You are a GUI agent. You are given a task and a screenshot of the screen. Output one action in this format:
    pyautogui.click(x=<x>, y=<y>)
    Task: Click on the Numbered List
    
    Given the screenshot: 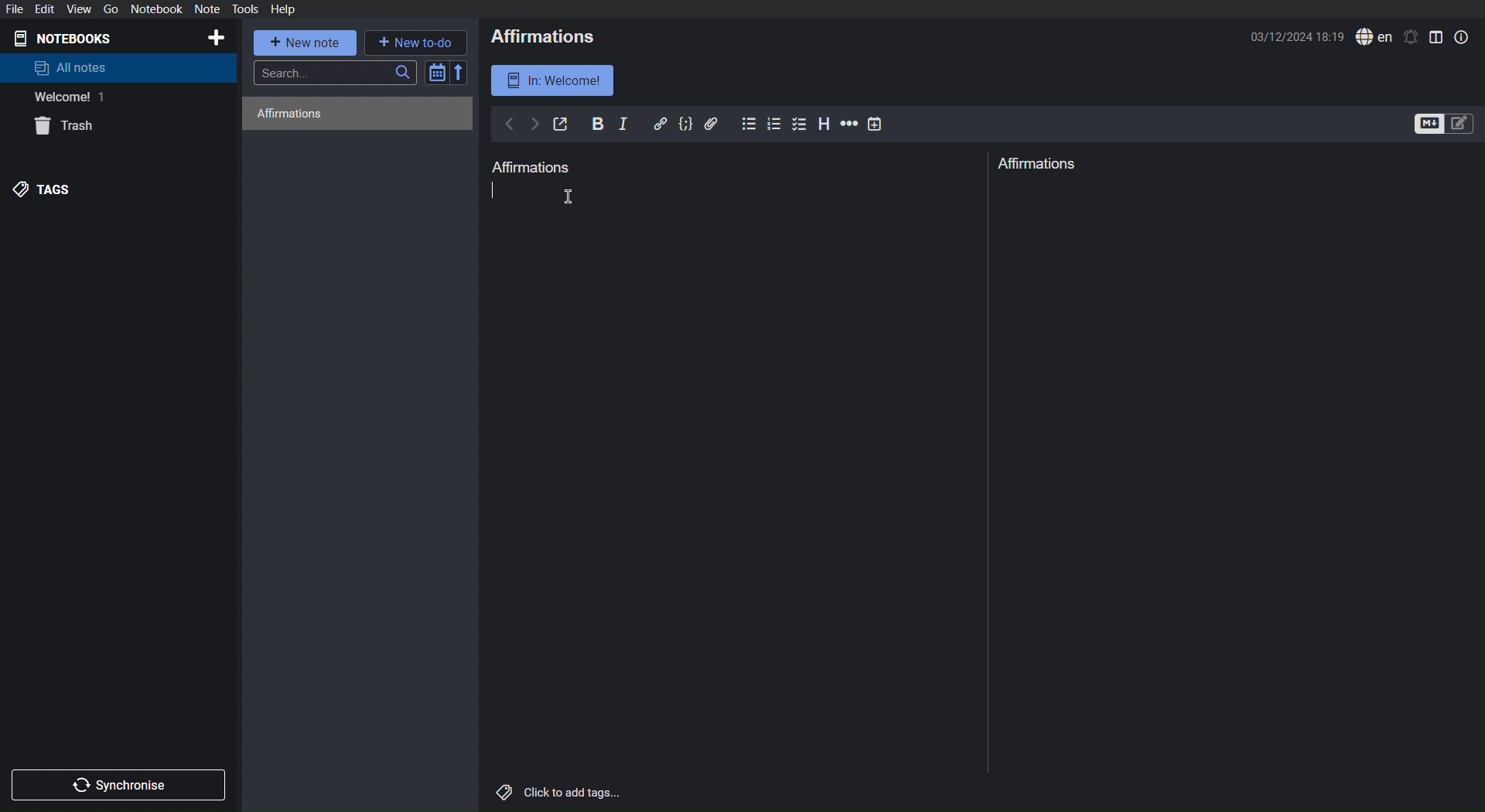 What is the action you would take?
    pyautogui.click(x=776, y=124)
    